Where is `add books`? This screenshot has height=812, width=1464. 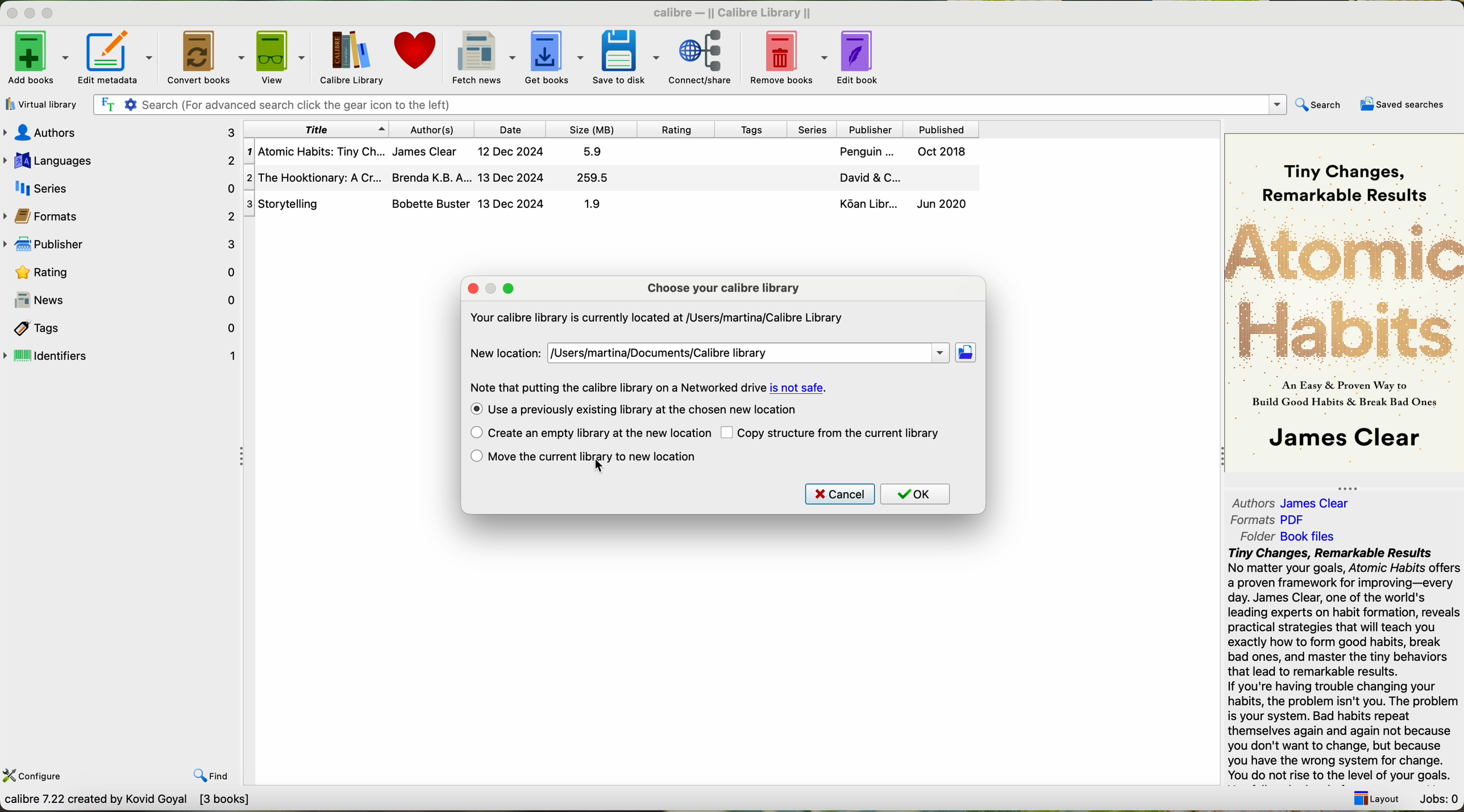
add books is located at coordinates (36, 56).